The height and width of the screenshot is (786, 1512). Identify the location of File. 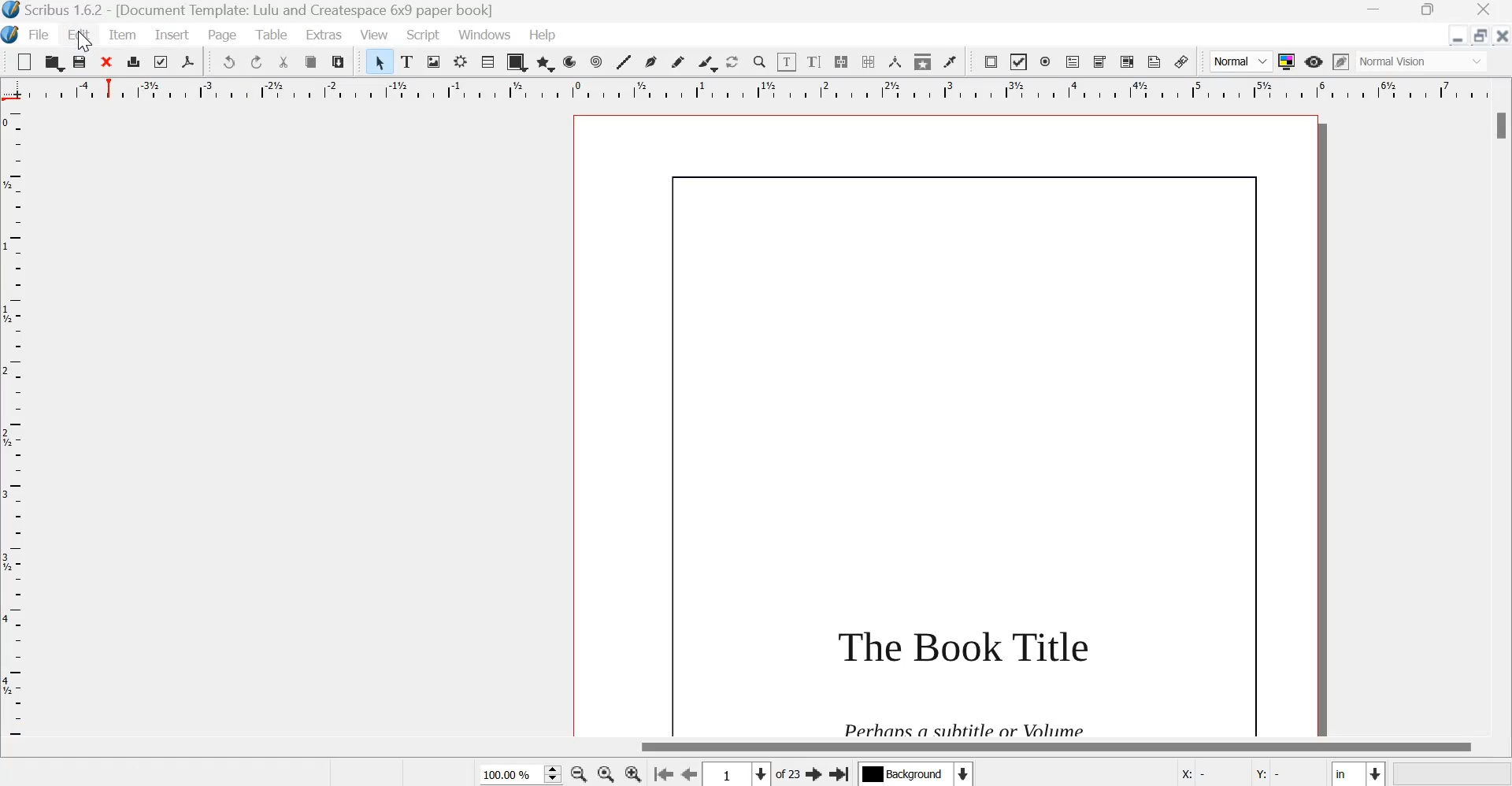
(38, 34).